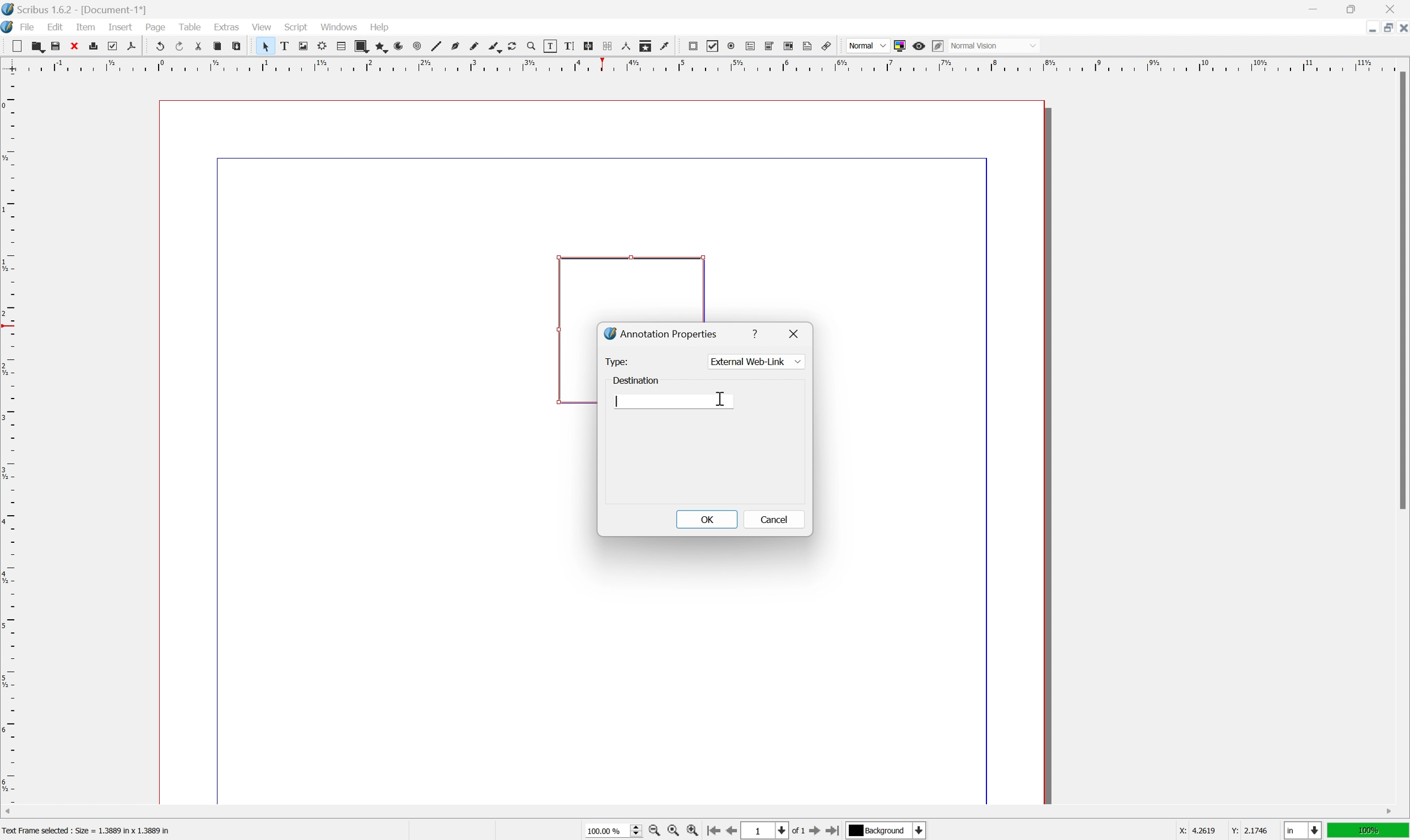 This screenshot has width=1410, height=840. What do you see at coordinates (699, 812) in the screenshot?
I see `scroll bar` at bounding box center [699, 812].